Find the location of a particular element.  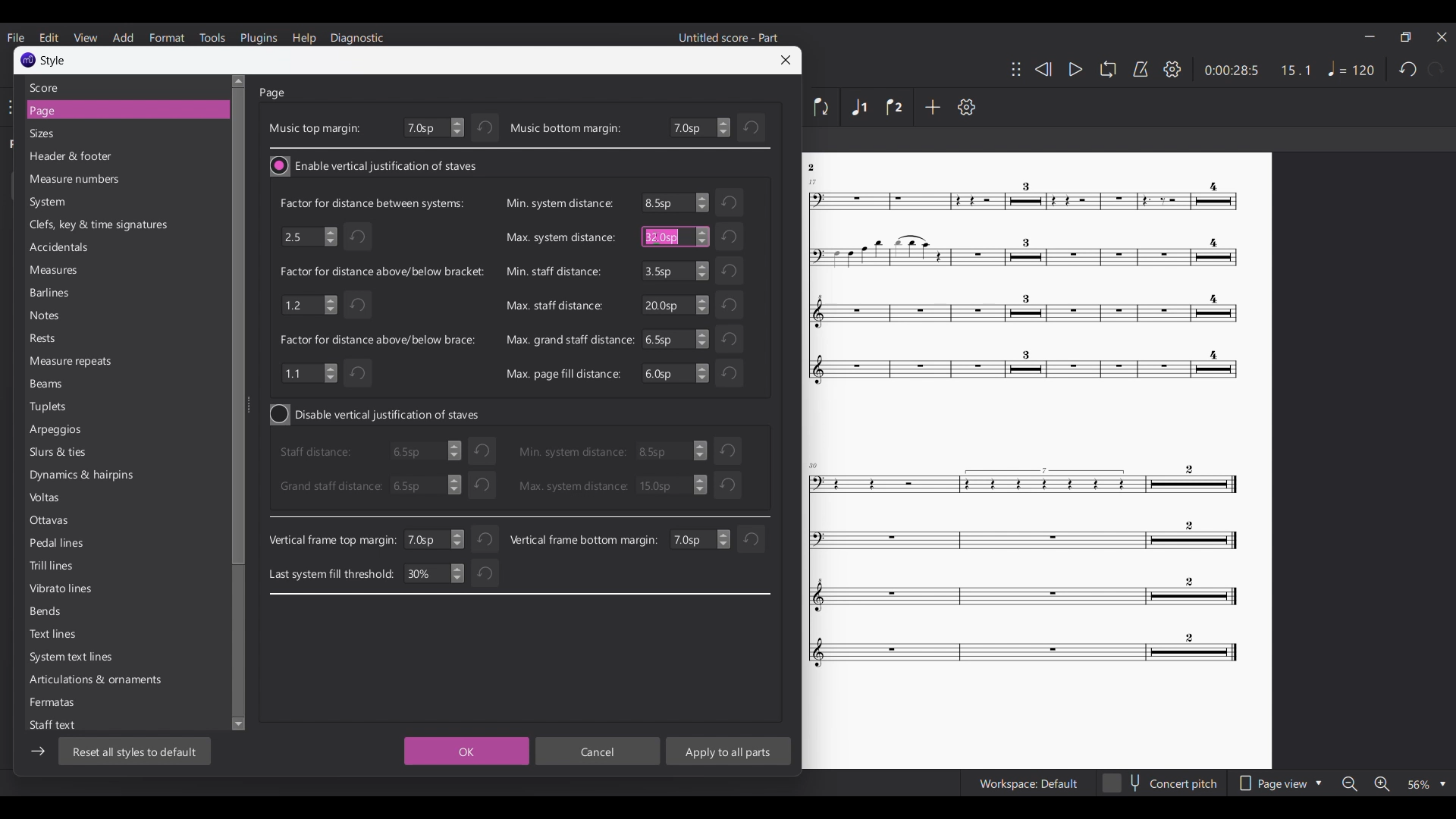

Staff text is located at coordinates (63, 726).